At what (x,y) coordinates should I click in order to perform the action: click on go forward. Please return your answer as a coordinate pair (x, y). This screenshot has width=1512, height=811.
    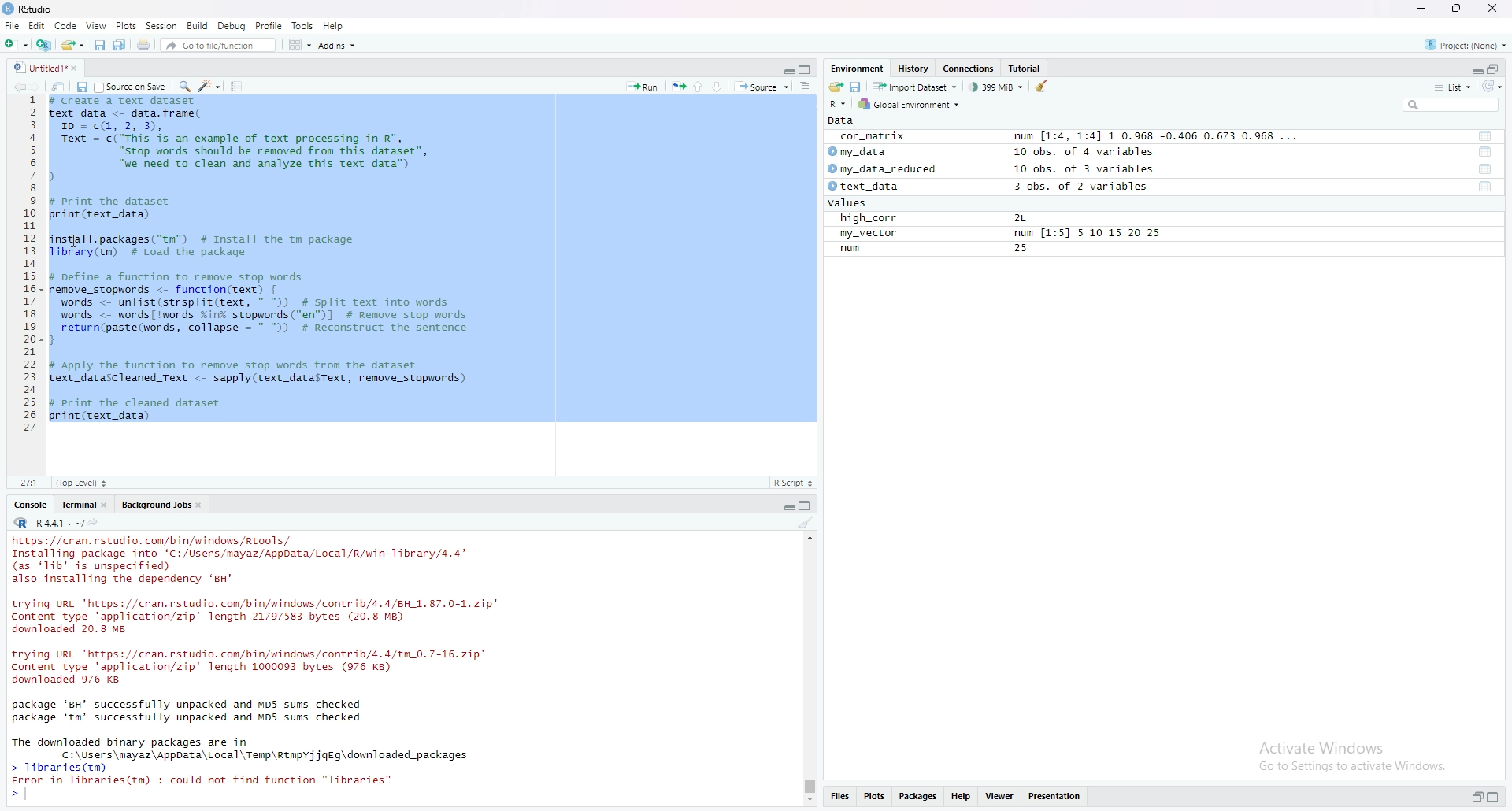
    Looking at the image, I should click on (39, 87).